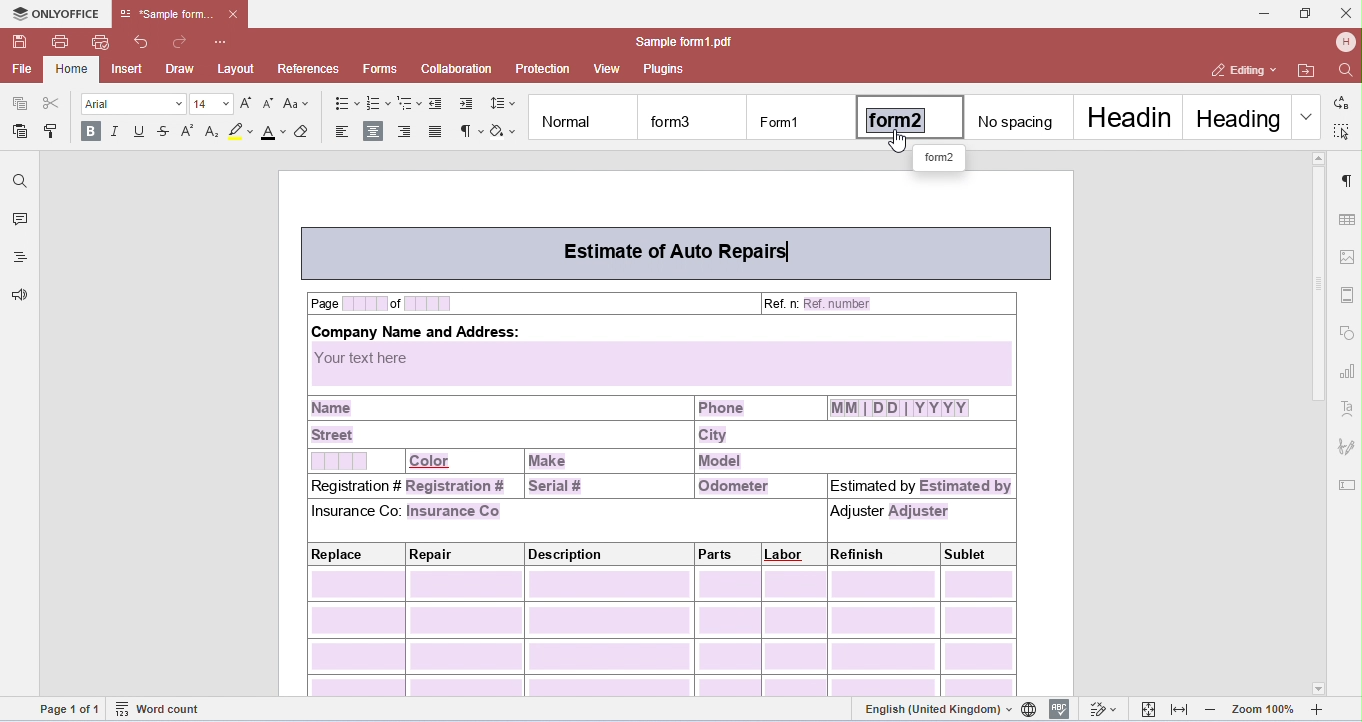  What do you see at coordinates (801, 118) in the screenshot?
I see `form1` at bounding box center [801, 118].